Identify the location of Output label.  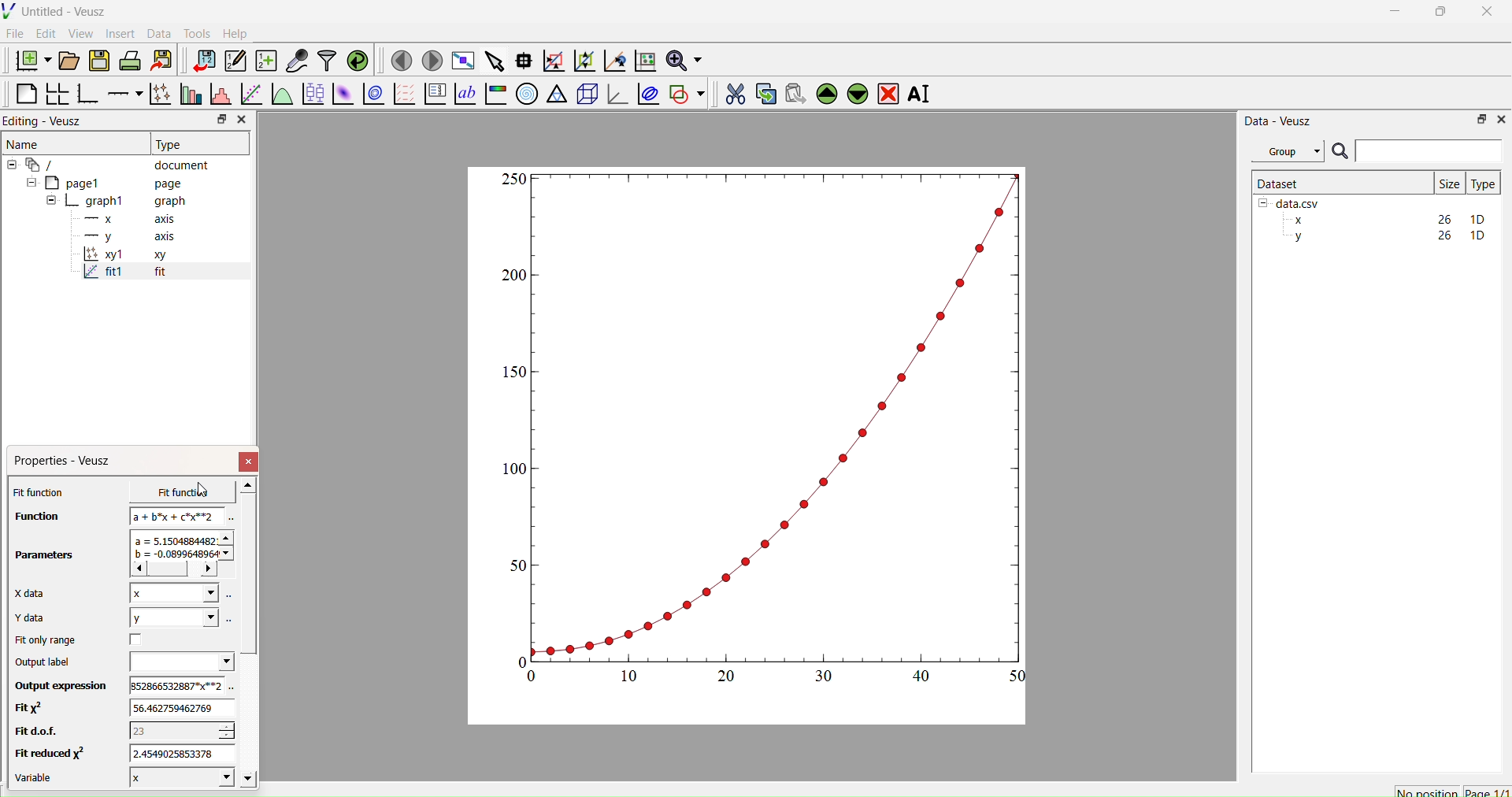
(46, 662).